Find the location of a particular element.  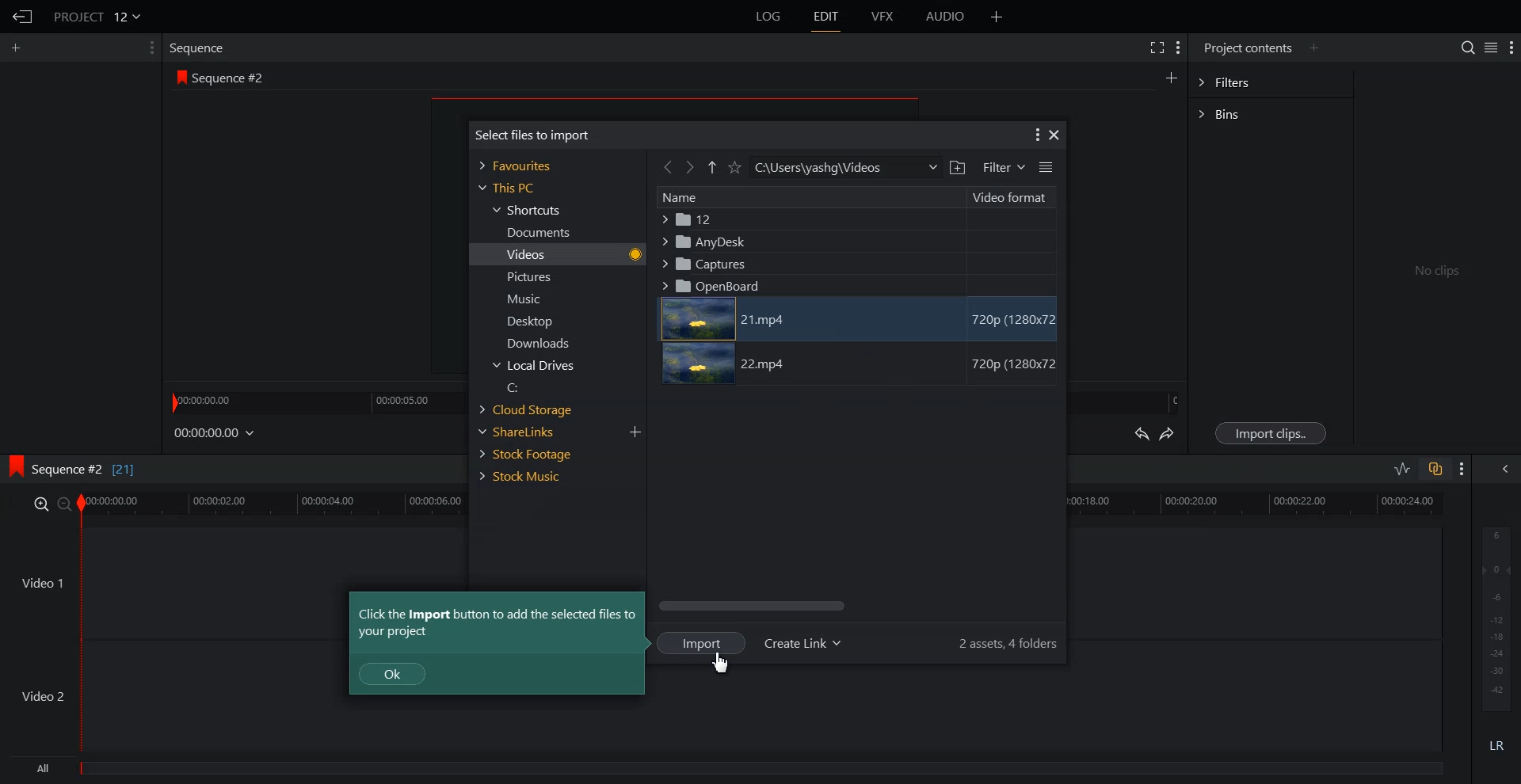

Go Back is located at coordinates (24, 17).